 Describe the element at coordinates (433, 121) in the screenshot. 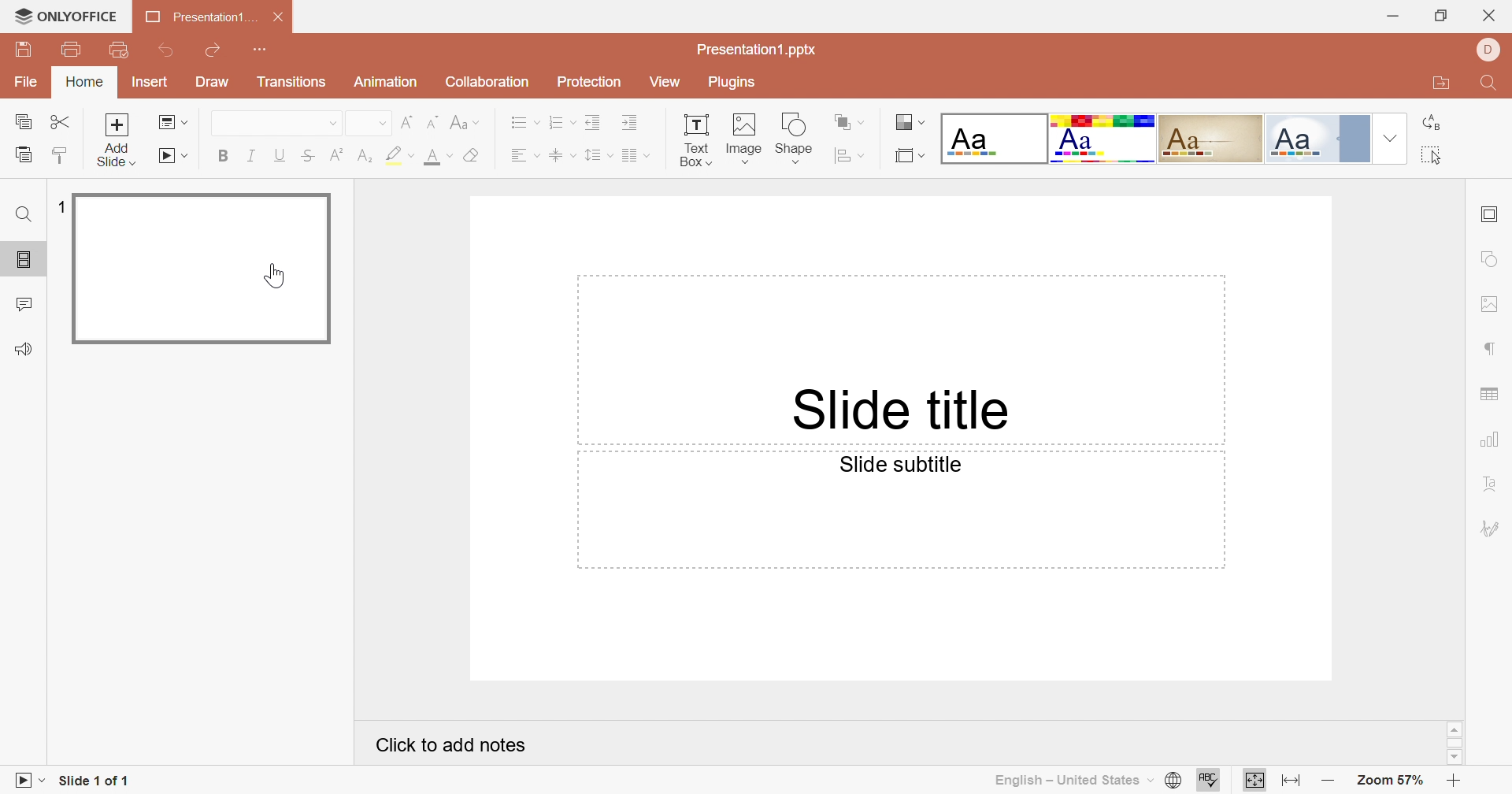

I see `Decrement Font Size` at that location.